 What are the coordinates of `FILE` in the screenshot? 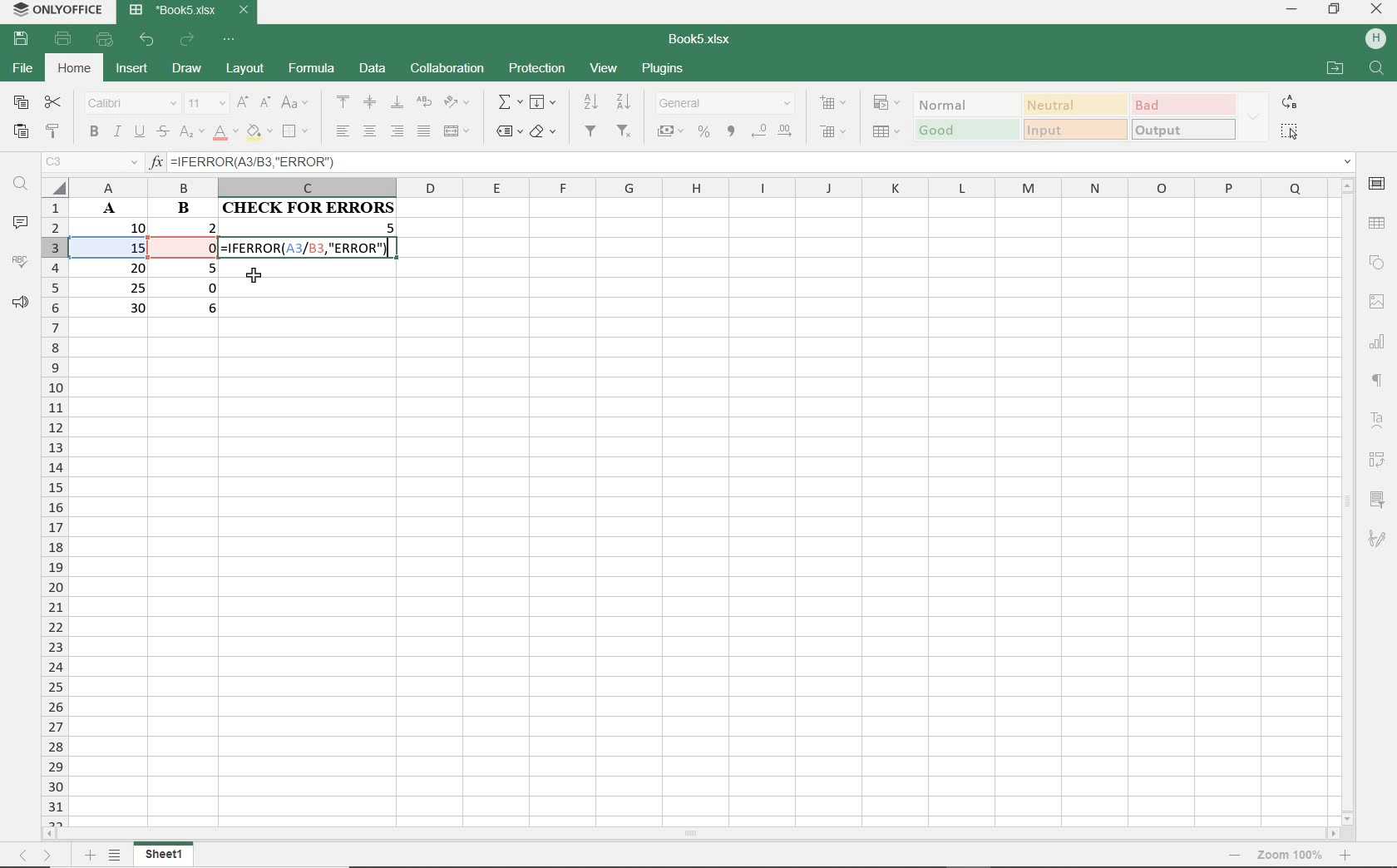 It's located at (20, 68).